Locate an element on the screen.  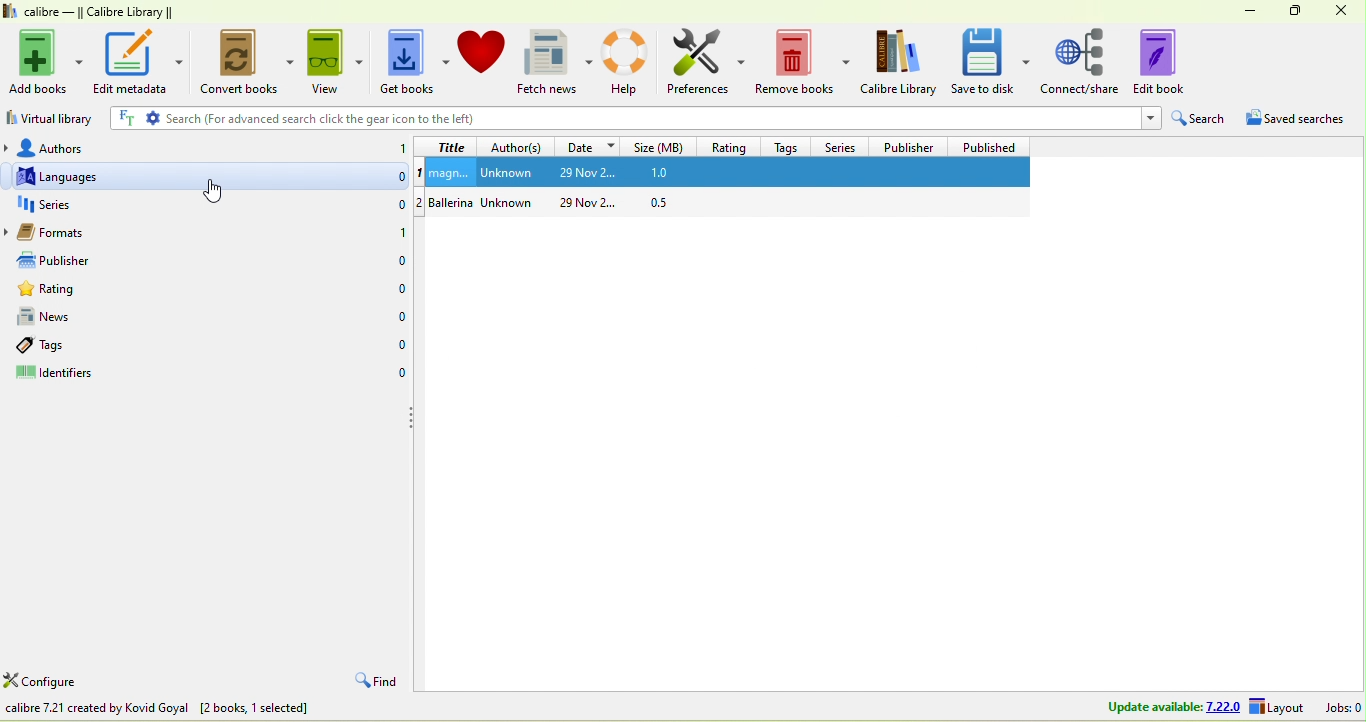
find is located at coordinates (380, 680).